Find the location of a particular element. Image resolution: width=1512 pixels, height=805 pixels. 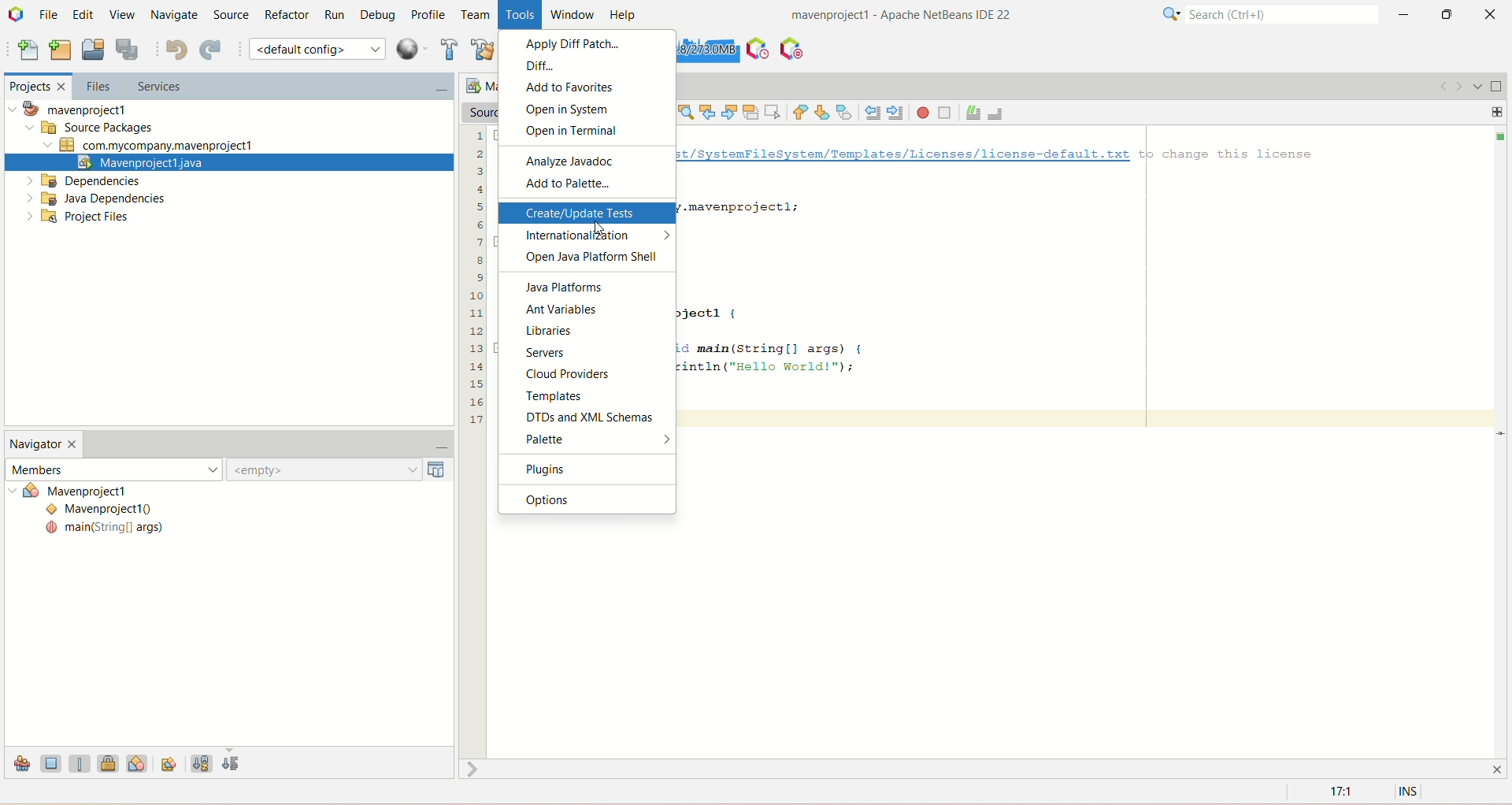

INS is located at coordinates (1410, 792).